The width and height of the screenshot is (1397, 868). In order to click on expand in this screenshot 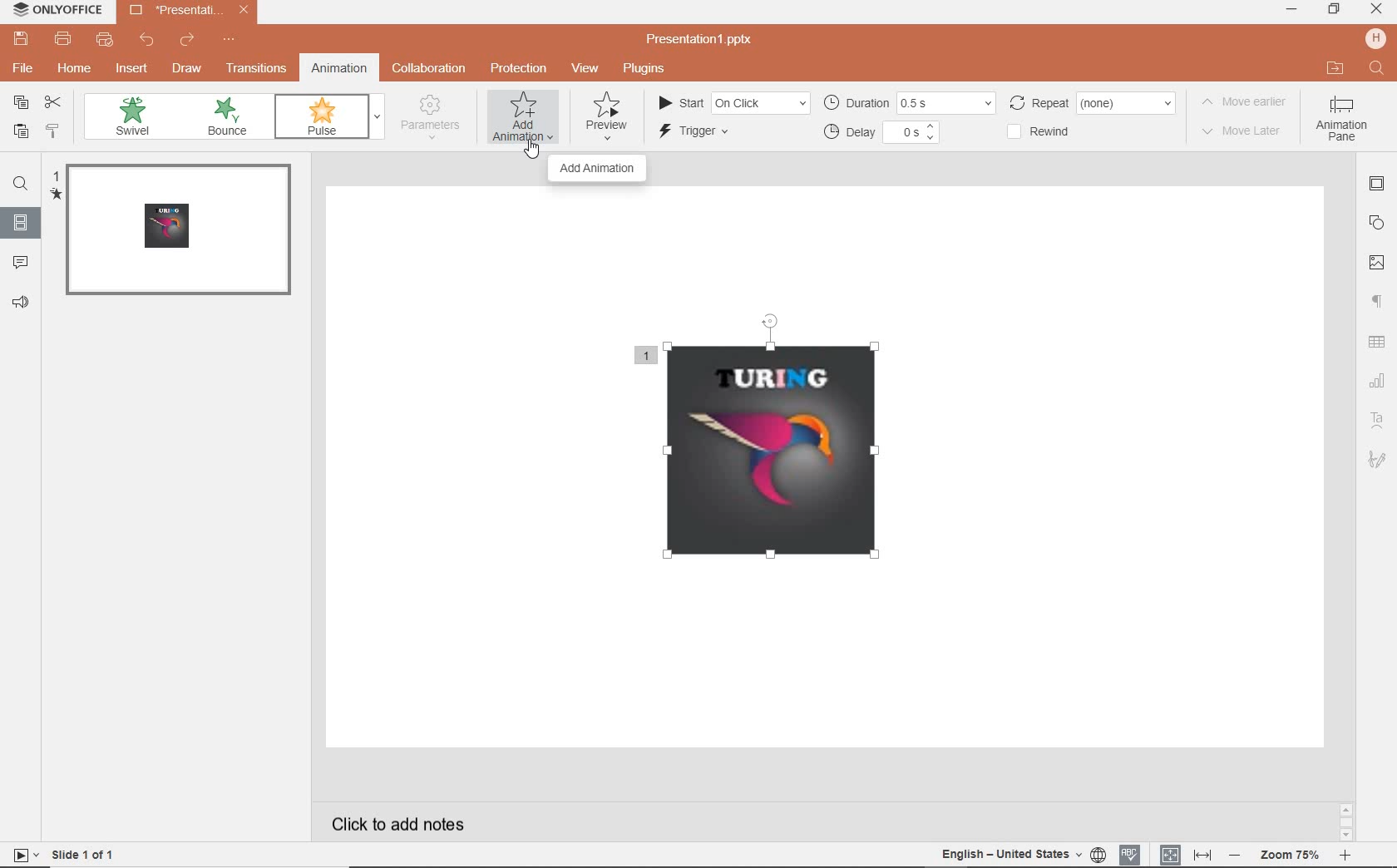, I will do `click(379, 116)`.